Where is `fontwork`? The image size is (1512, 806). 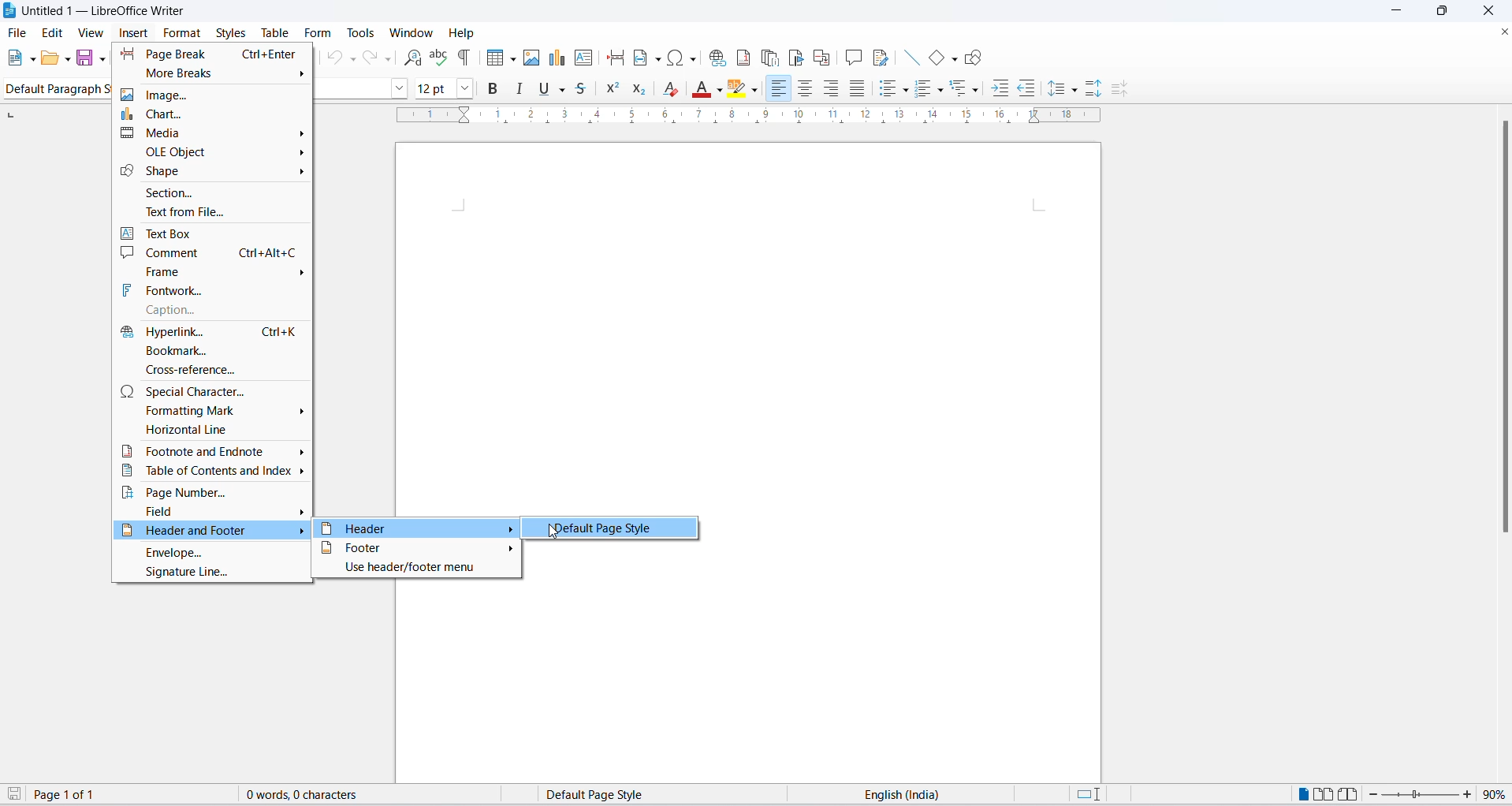 fontwork is located at coordinates (212, 289).